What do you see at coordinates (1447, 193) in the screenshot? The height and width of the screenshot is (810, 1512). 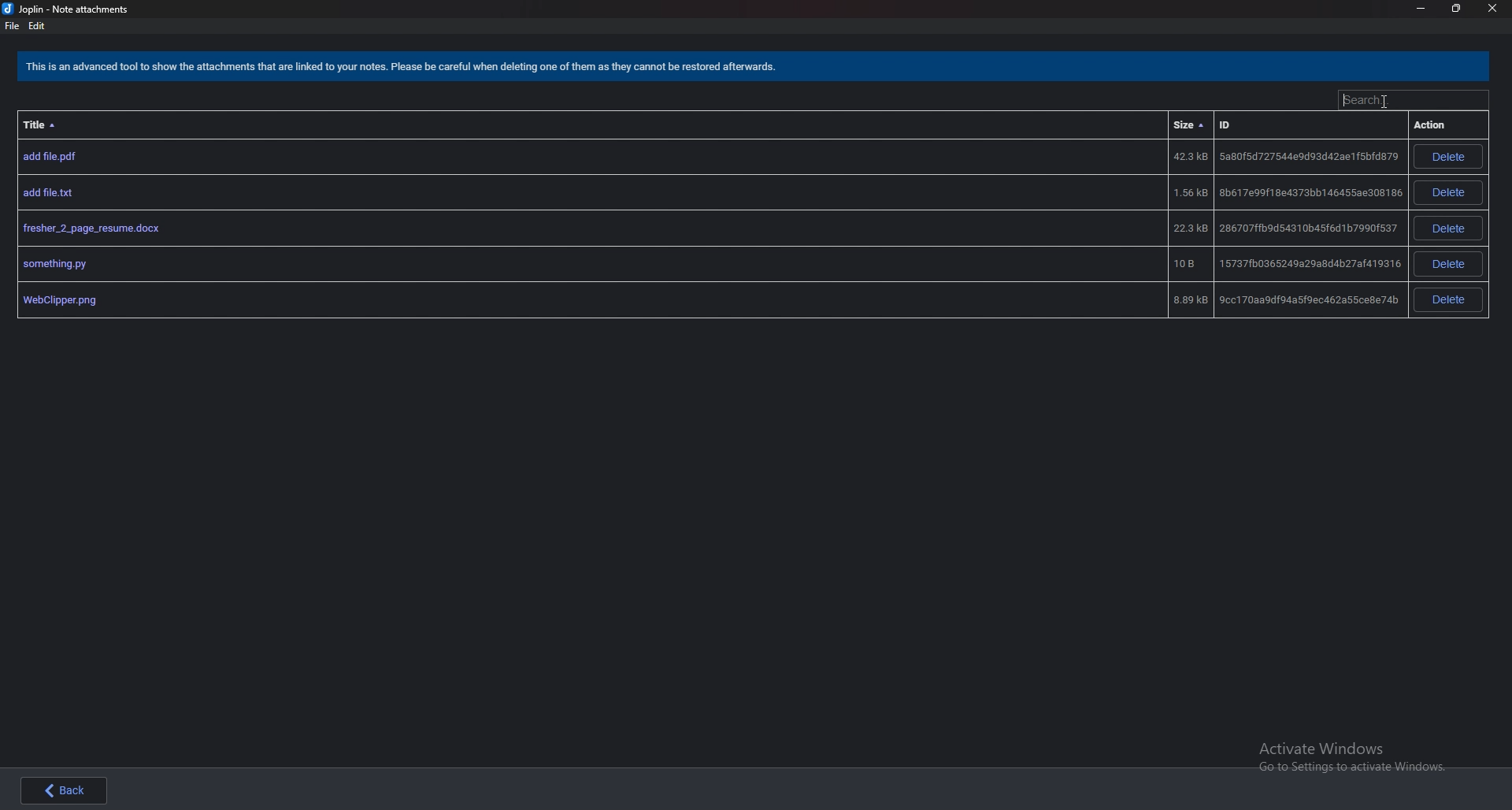 I see `delete` at bounding box center [1447, 193].